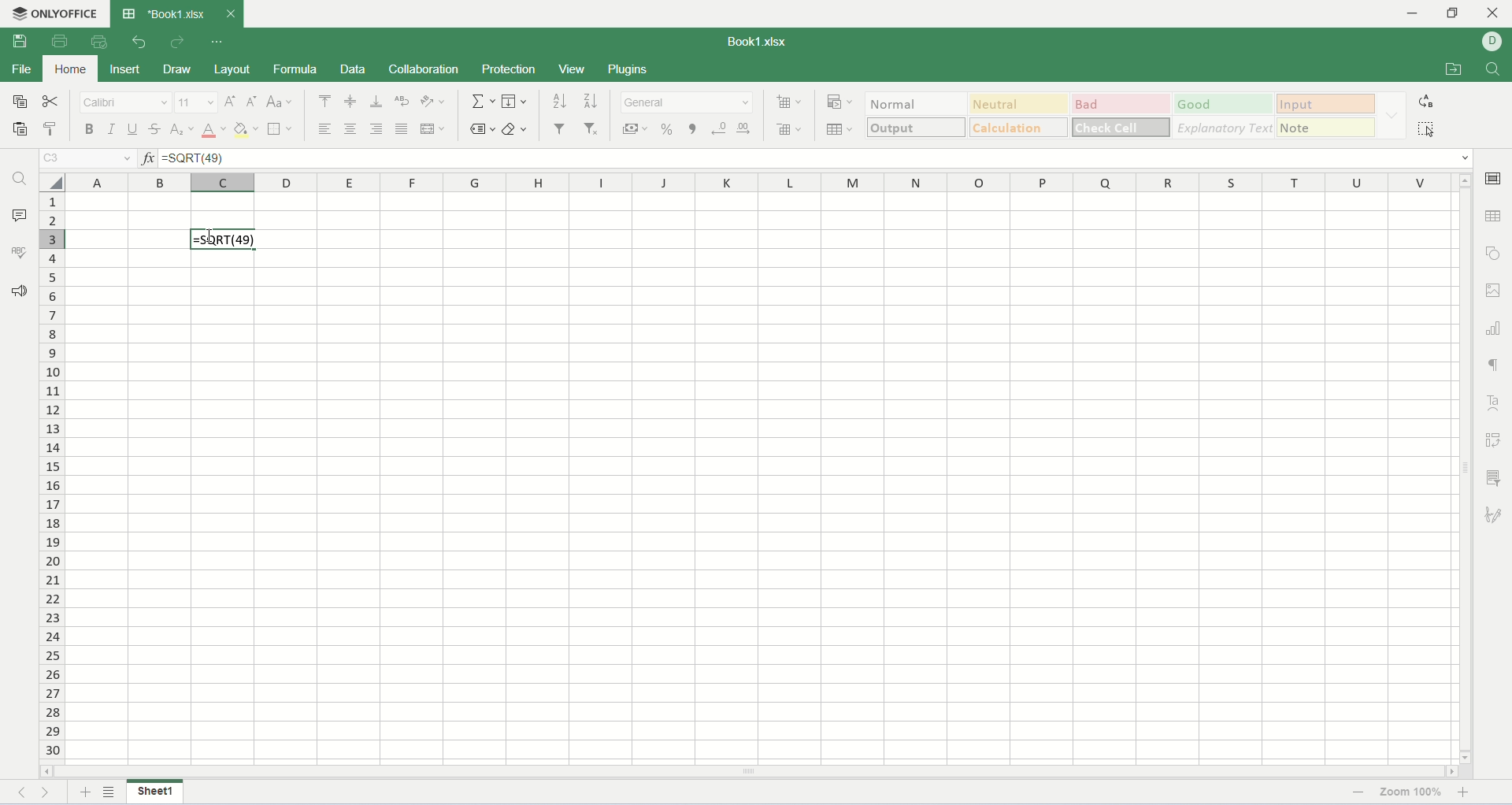 Image resolution: width=1512 pixels, height=805 pixels. I want to click on draw, so click(180, 69).